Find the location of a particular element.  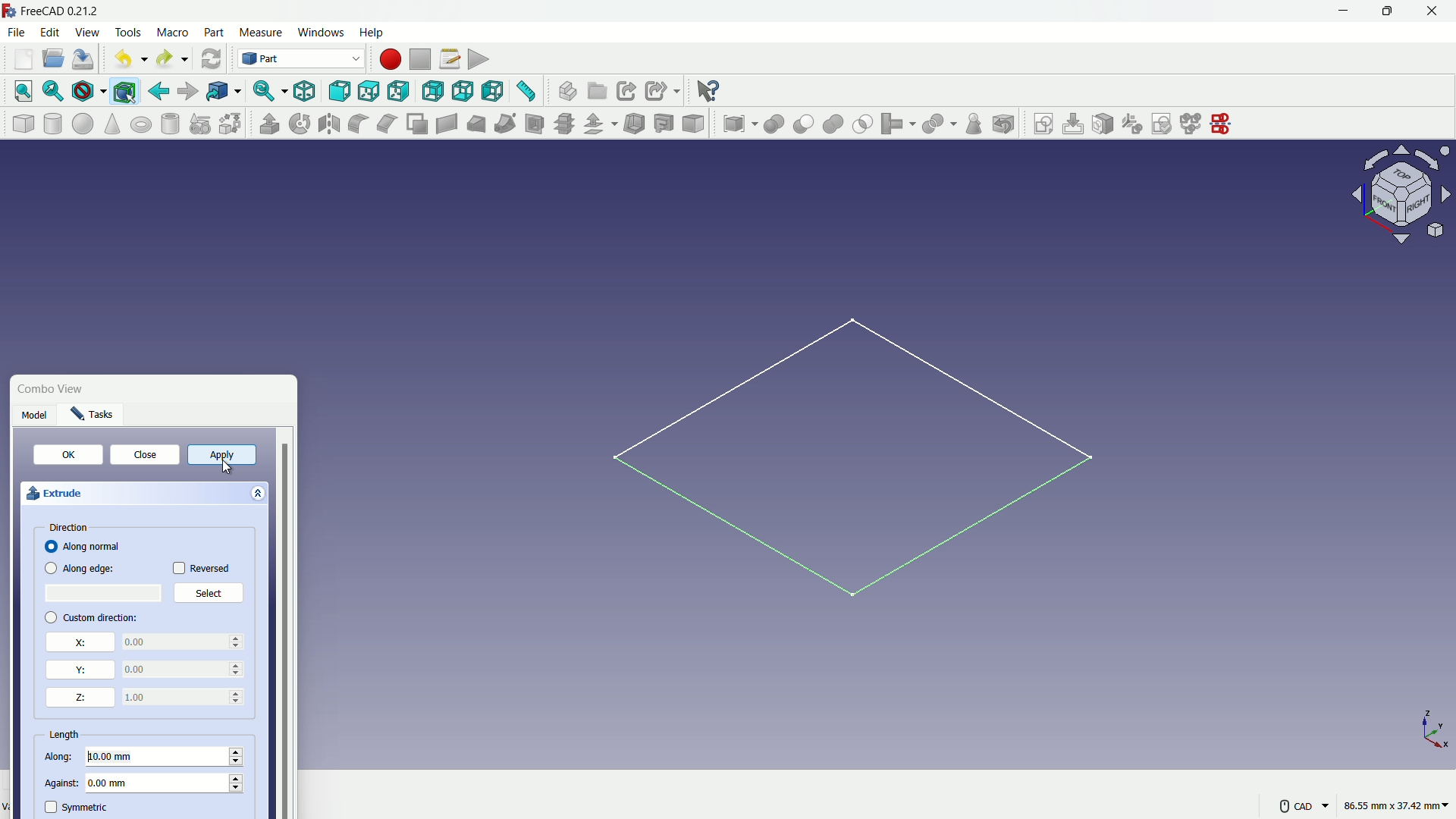

OK is located at coordinates (69, 455).